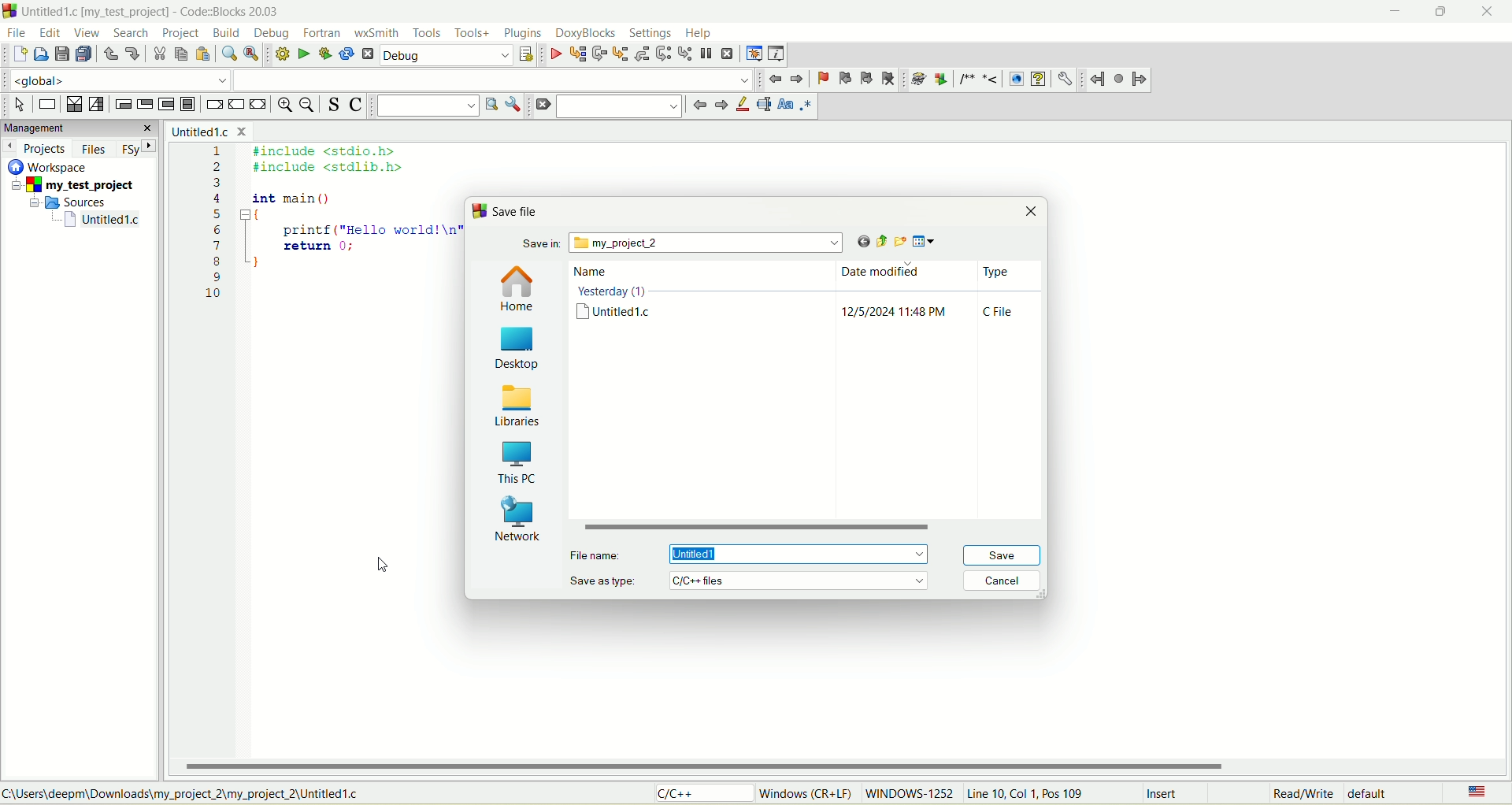 The width and height of the screenshot is (1512, 805). Describe the element at coordinates (1034, 213) in the screenshot. I see `close` at that location.